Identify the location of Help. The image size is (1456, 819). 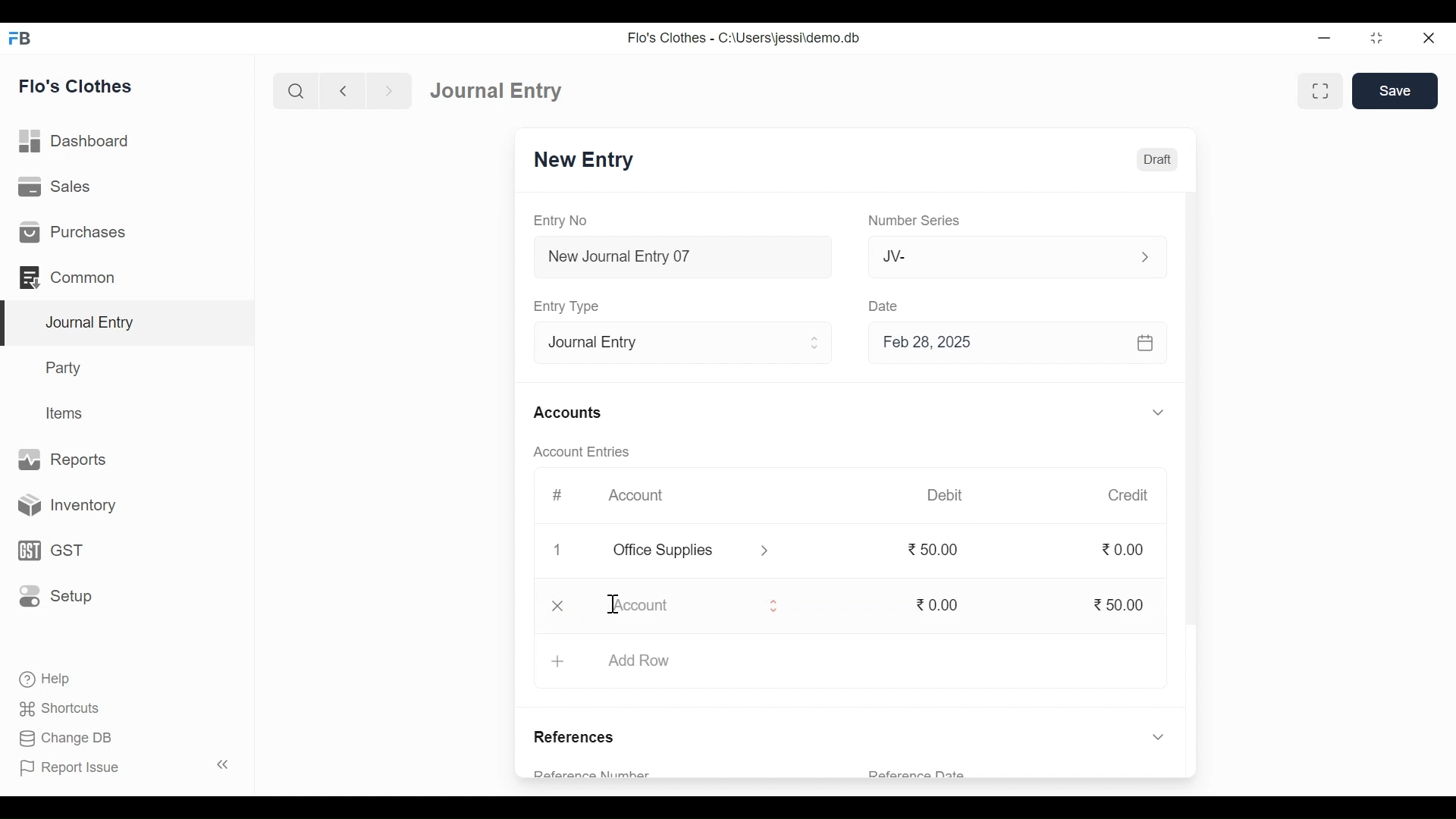
(43, 677).